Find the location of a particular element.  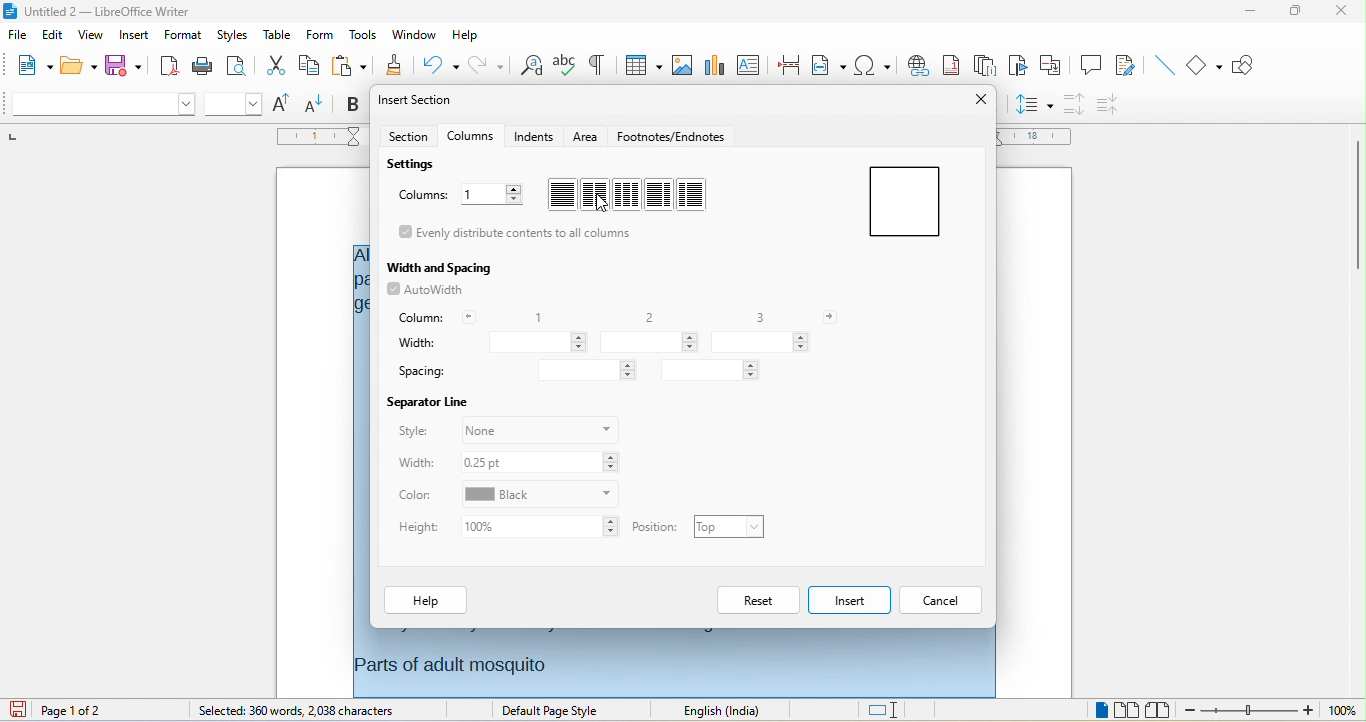

footnote is located at coordinates (954, 67).